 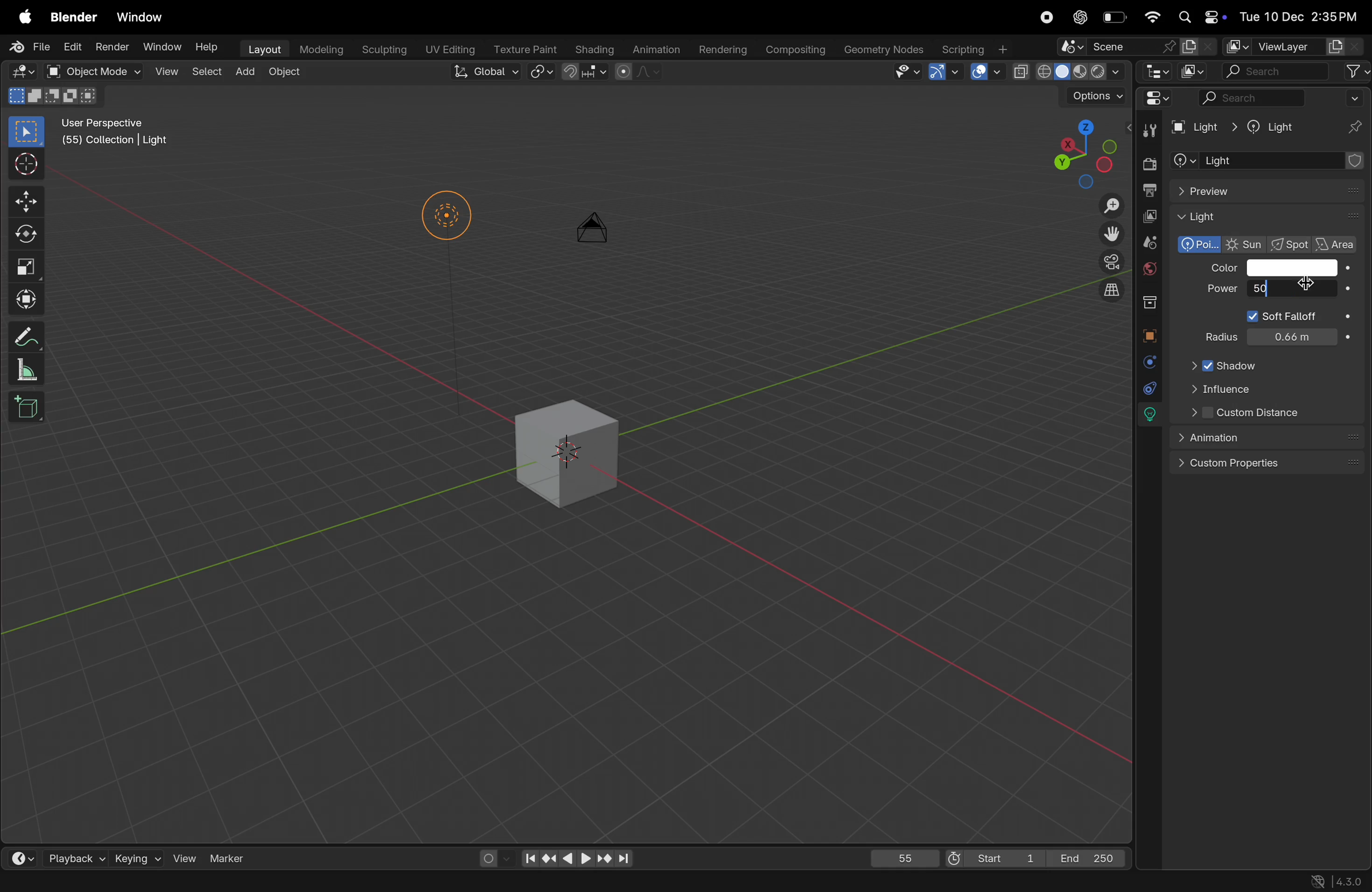 I want to click on compsing, so click(x=800, y=48).